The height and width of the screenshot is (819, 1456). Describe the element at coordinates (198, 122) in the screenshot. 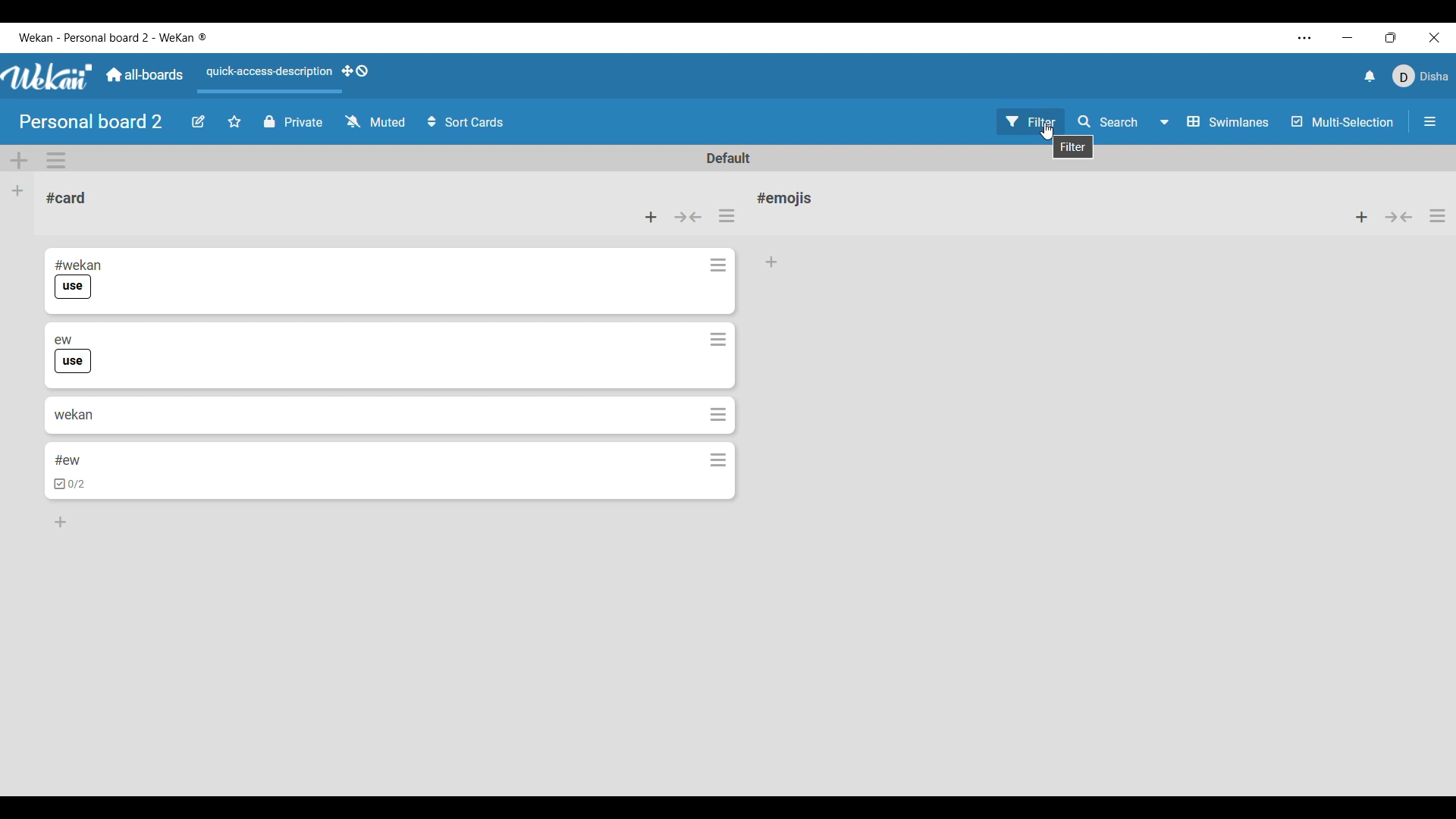

I see `Edit` at that location.